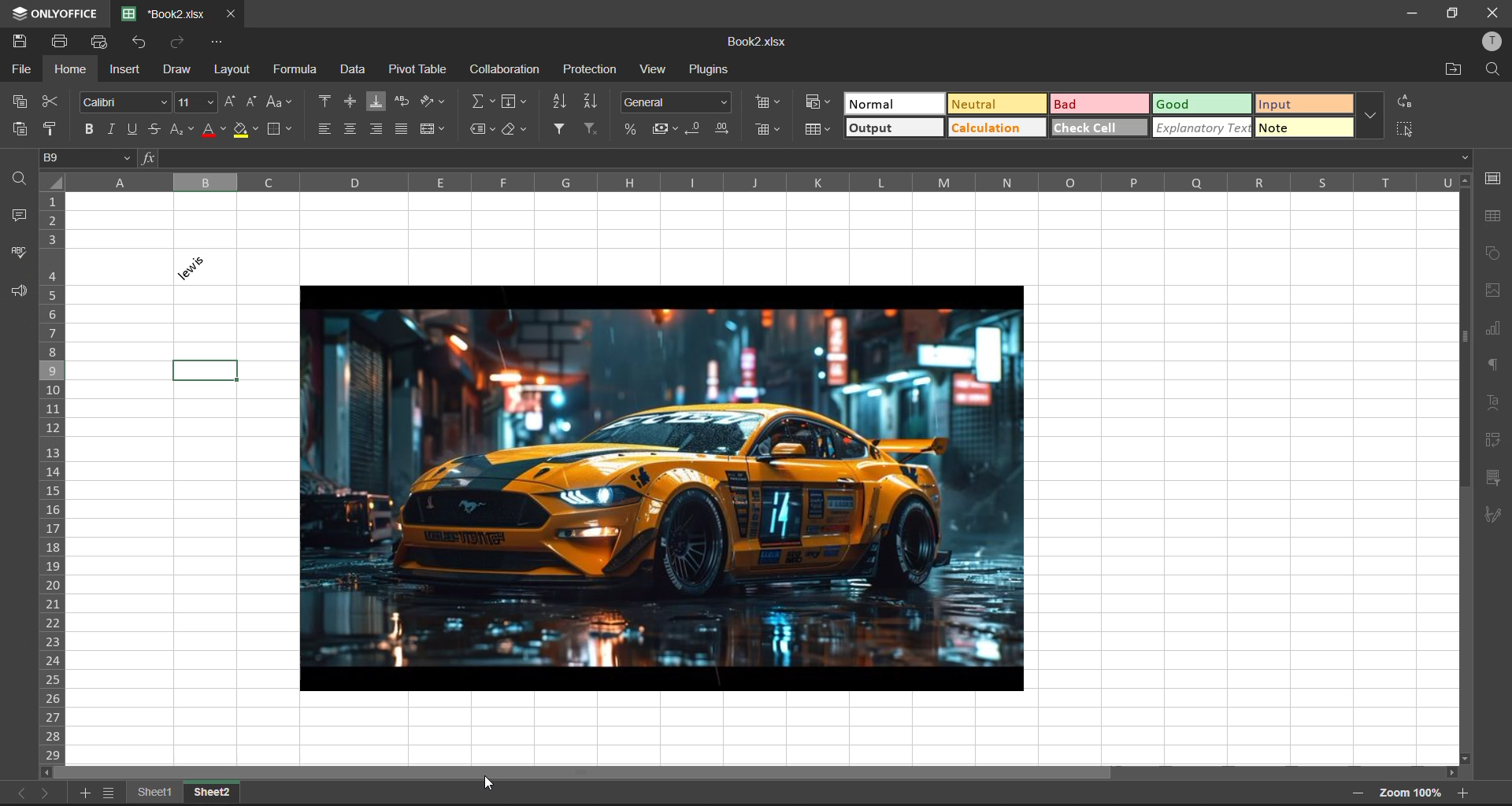  I want to click on number format, so click(676, 100).